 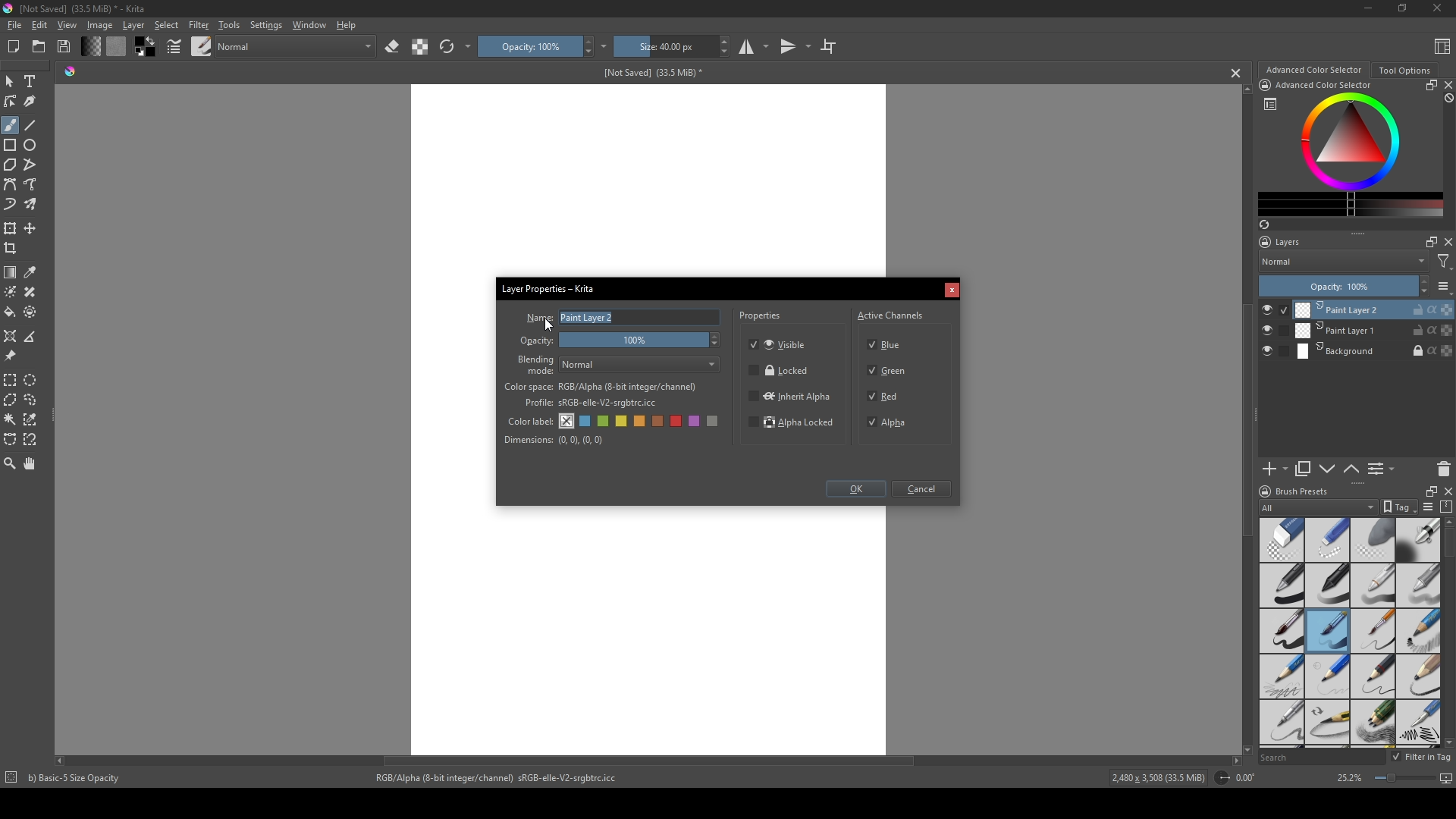 I want to click on polyline, so click(x=32, y=165).